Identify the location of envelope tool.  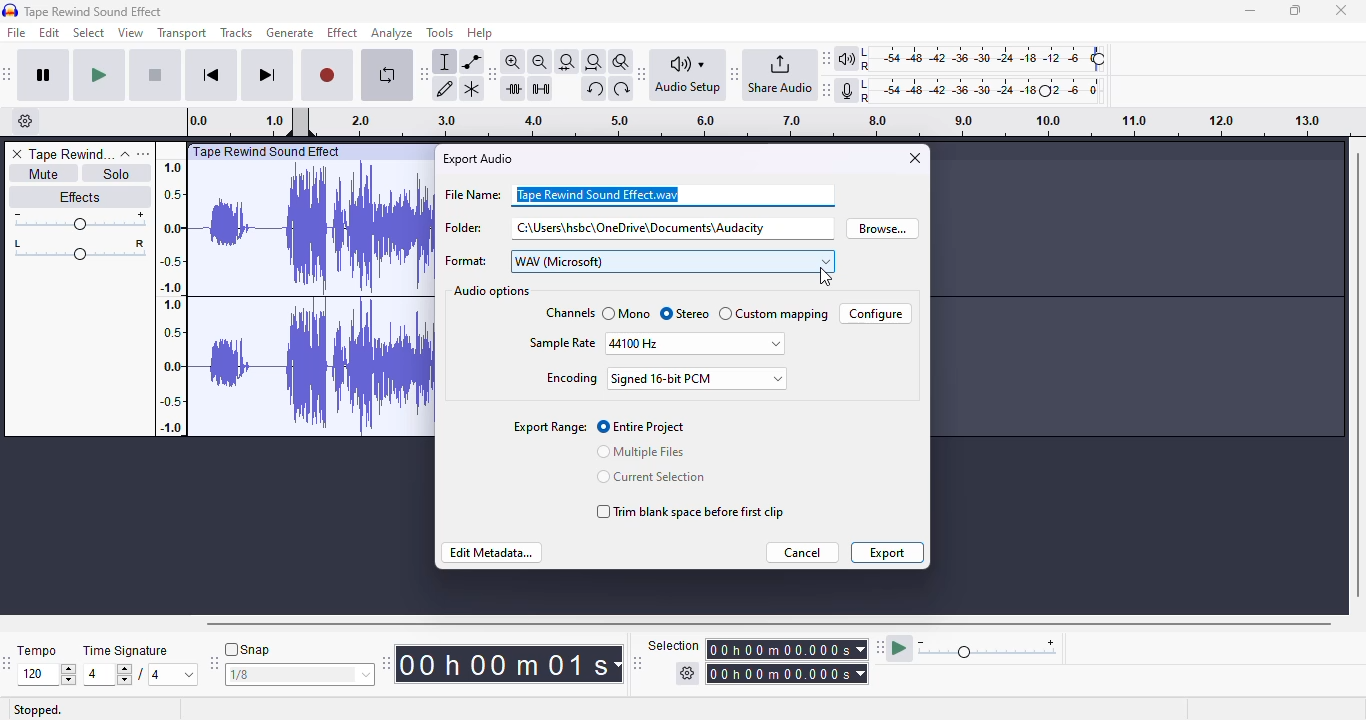
(473, 61).